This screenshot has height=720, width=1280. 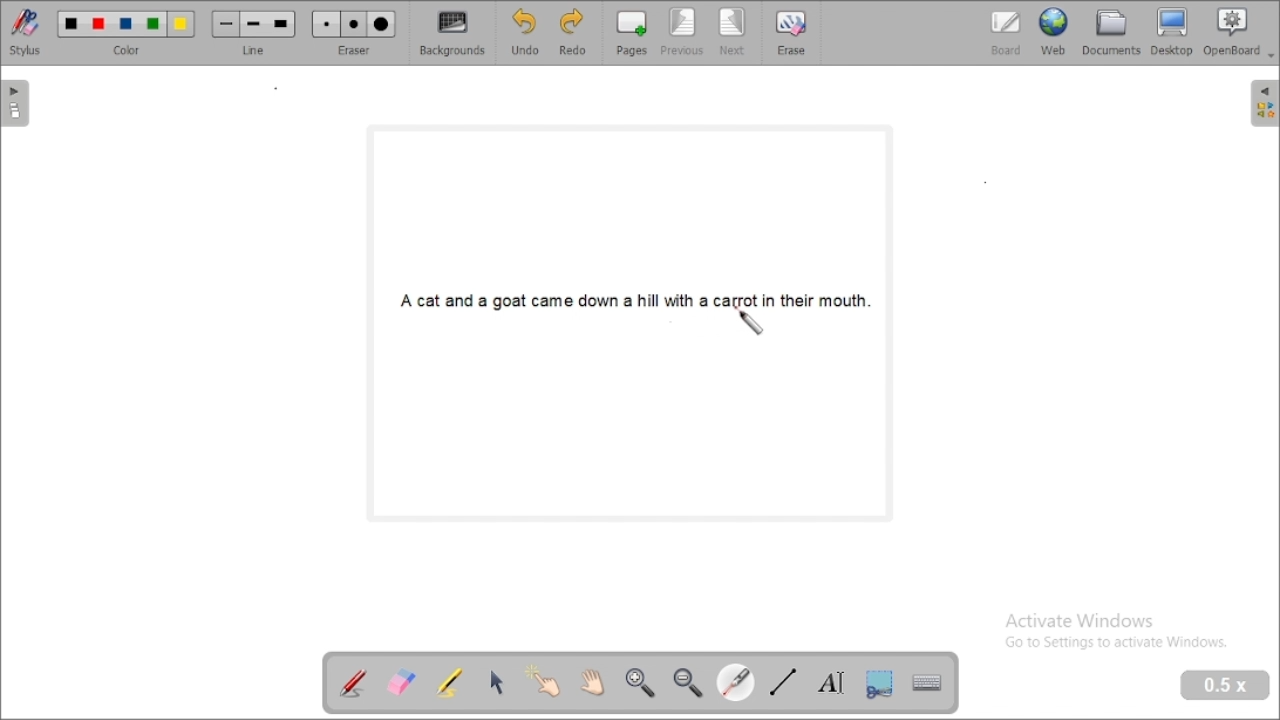 I want to click on laser pointer, so click(x=749, y=321).